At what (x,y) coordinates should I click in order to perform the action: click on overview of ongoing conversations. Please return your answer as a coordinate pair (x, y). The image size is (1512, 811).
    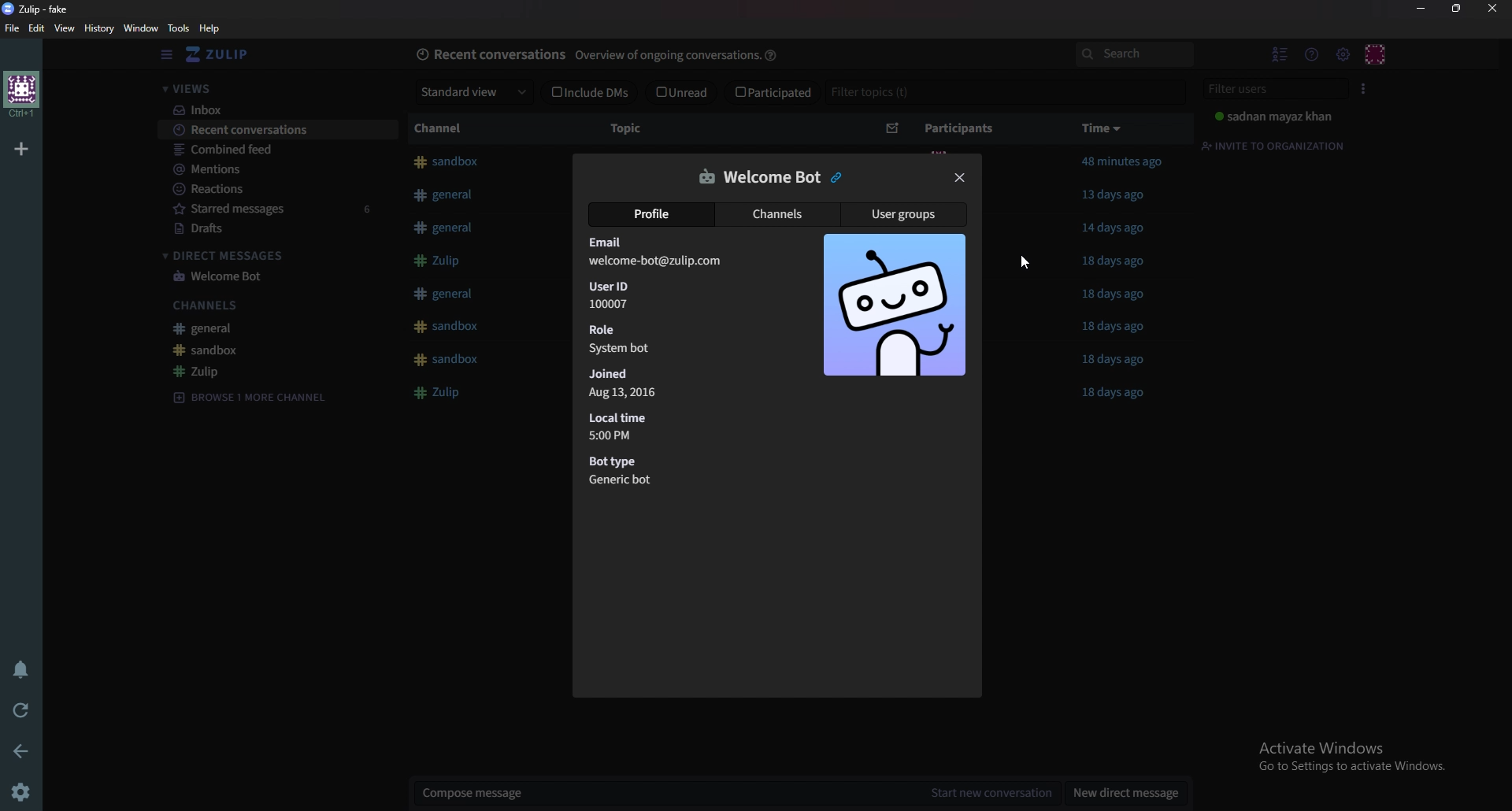
    Looking at the image, I should click on (664, 56).